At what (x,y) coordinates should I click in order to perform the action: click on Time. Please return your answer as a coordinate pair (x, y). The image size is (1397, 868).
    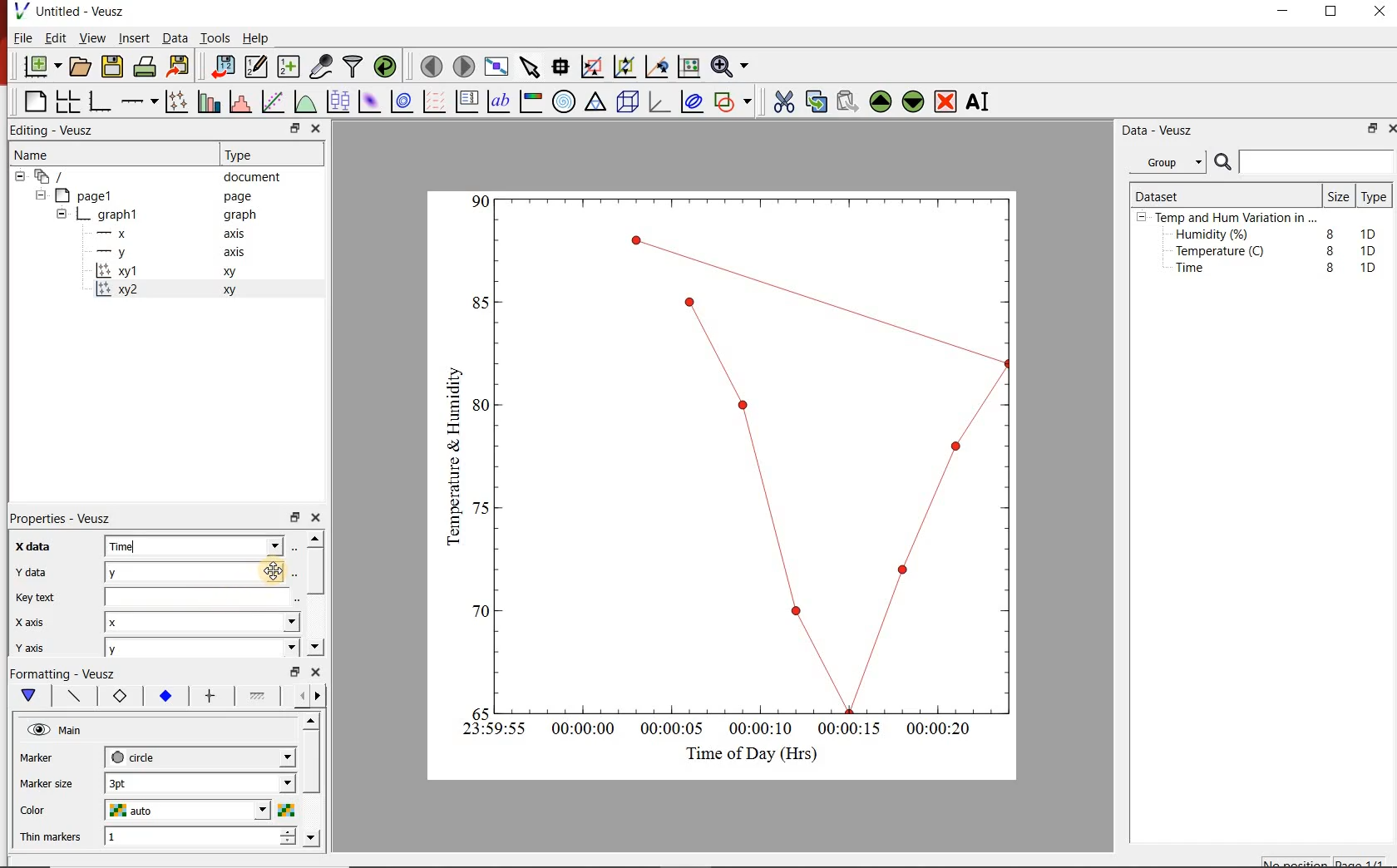
    Looking at the image, I should click on (146, 547).